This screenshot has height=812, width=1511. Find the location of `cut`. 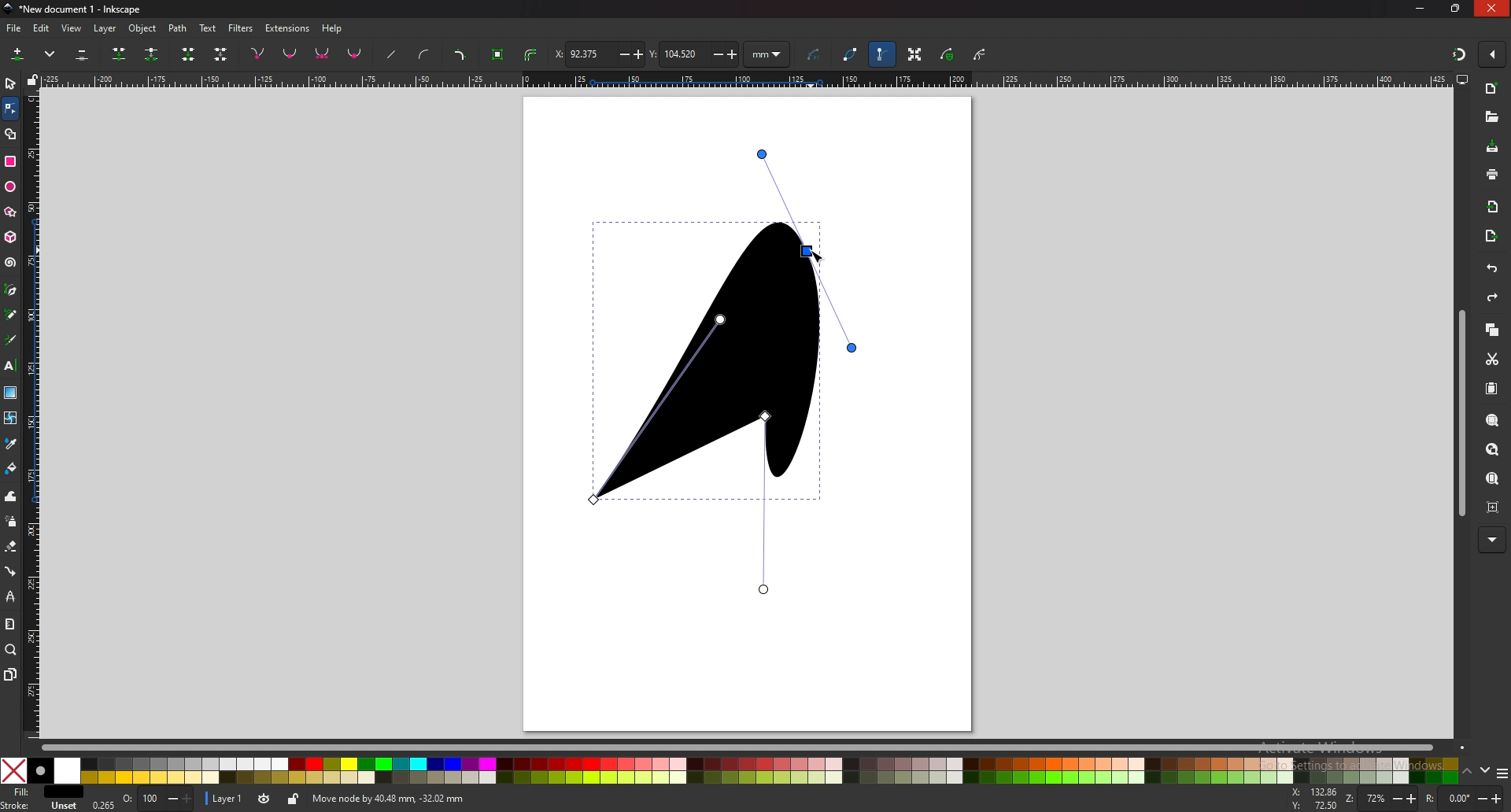

cut is located at coordinates (1492, 358).